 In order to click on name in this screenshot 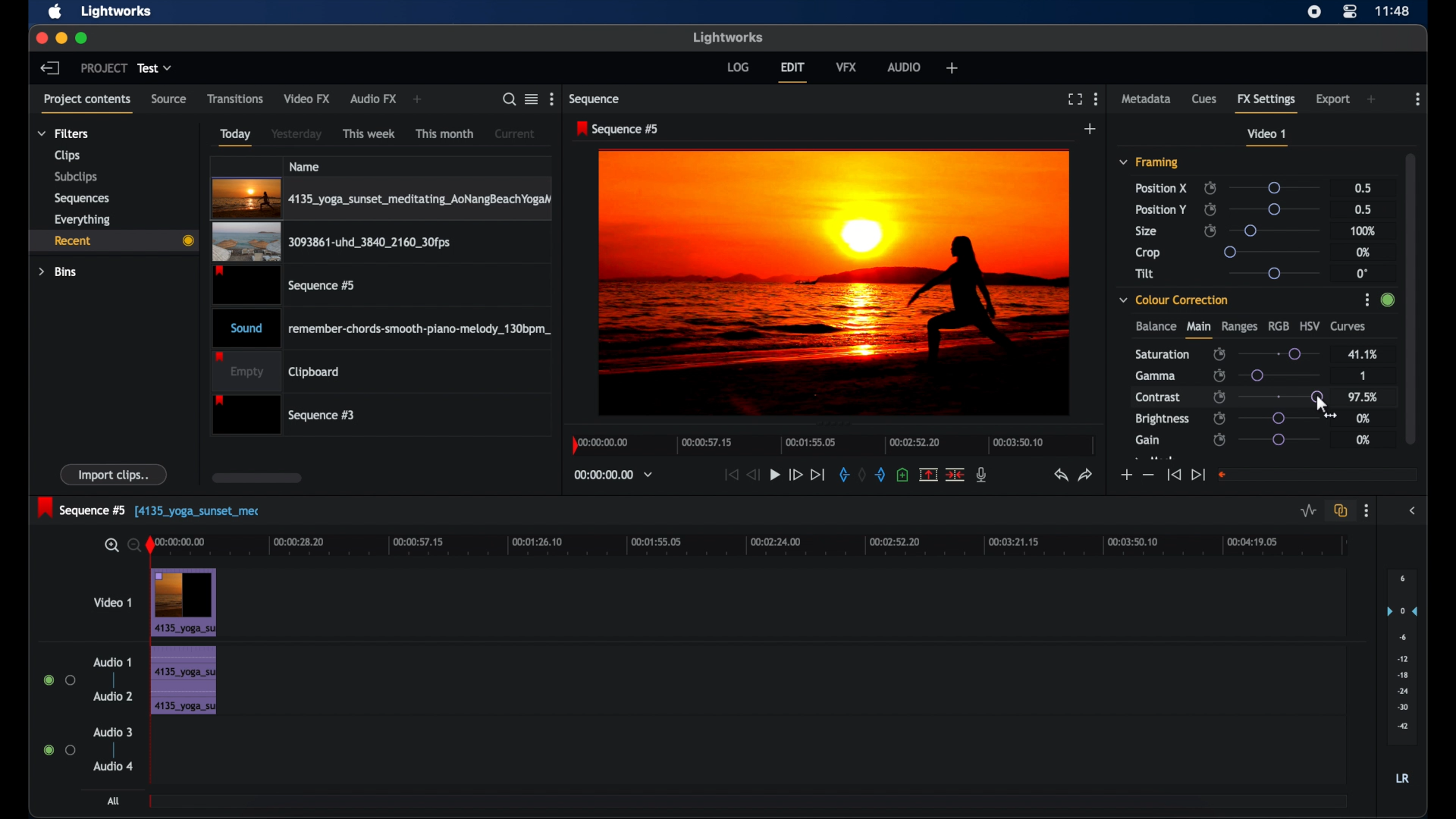, I will do `click(306, 166)`.